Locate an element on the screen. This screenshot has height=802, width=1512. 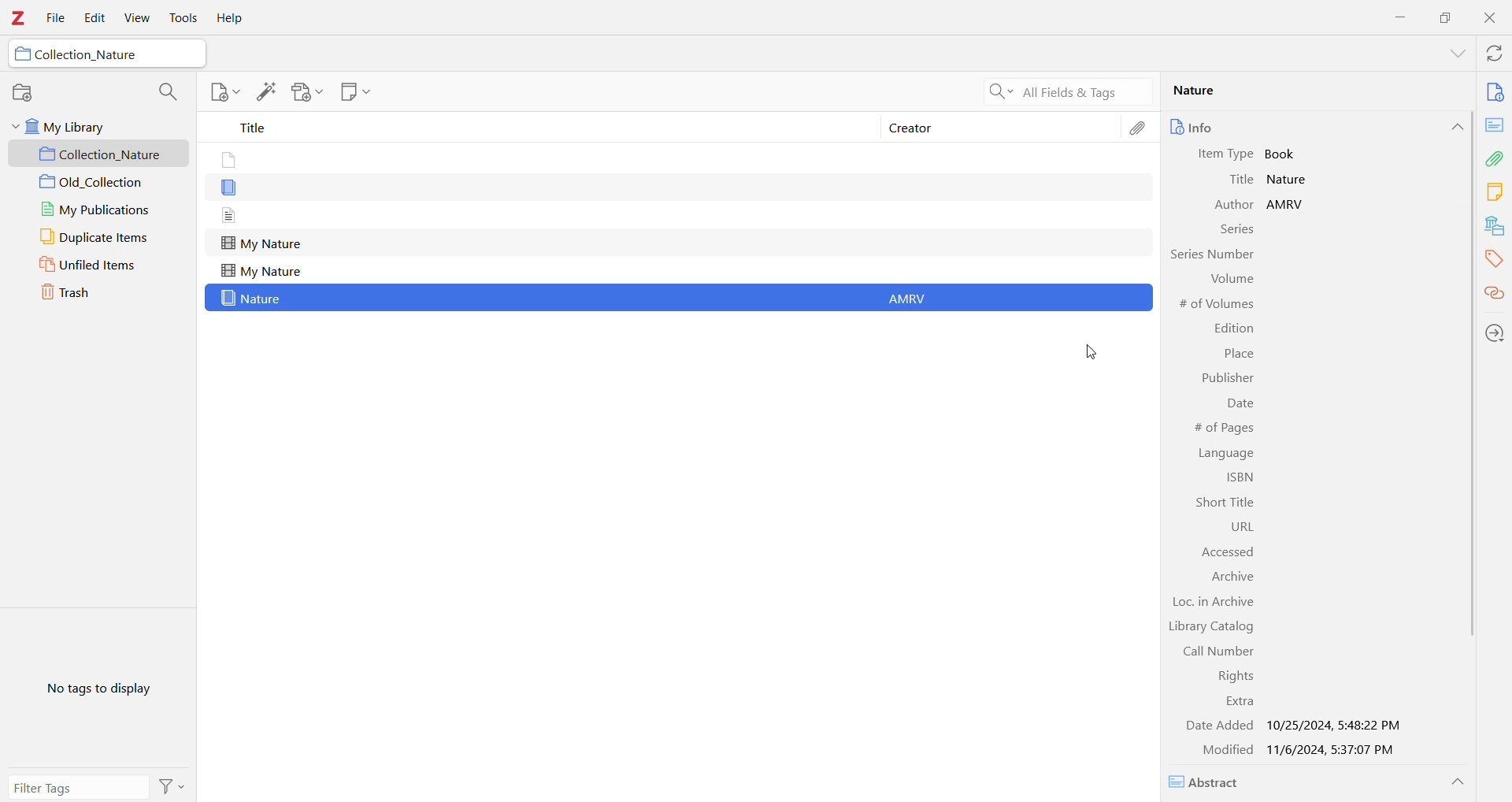
Collection_Nature is located at coordinates (101, 154).